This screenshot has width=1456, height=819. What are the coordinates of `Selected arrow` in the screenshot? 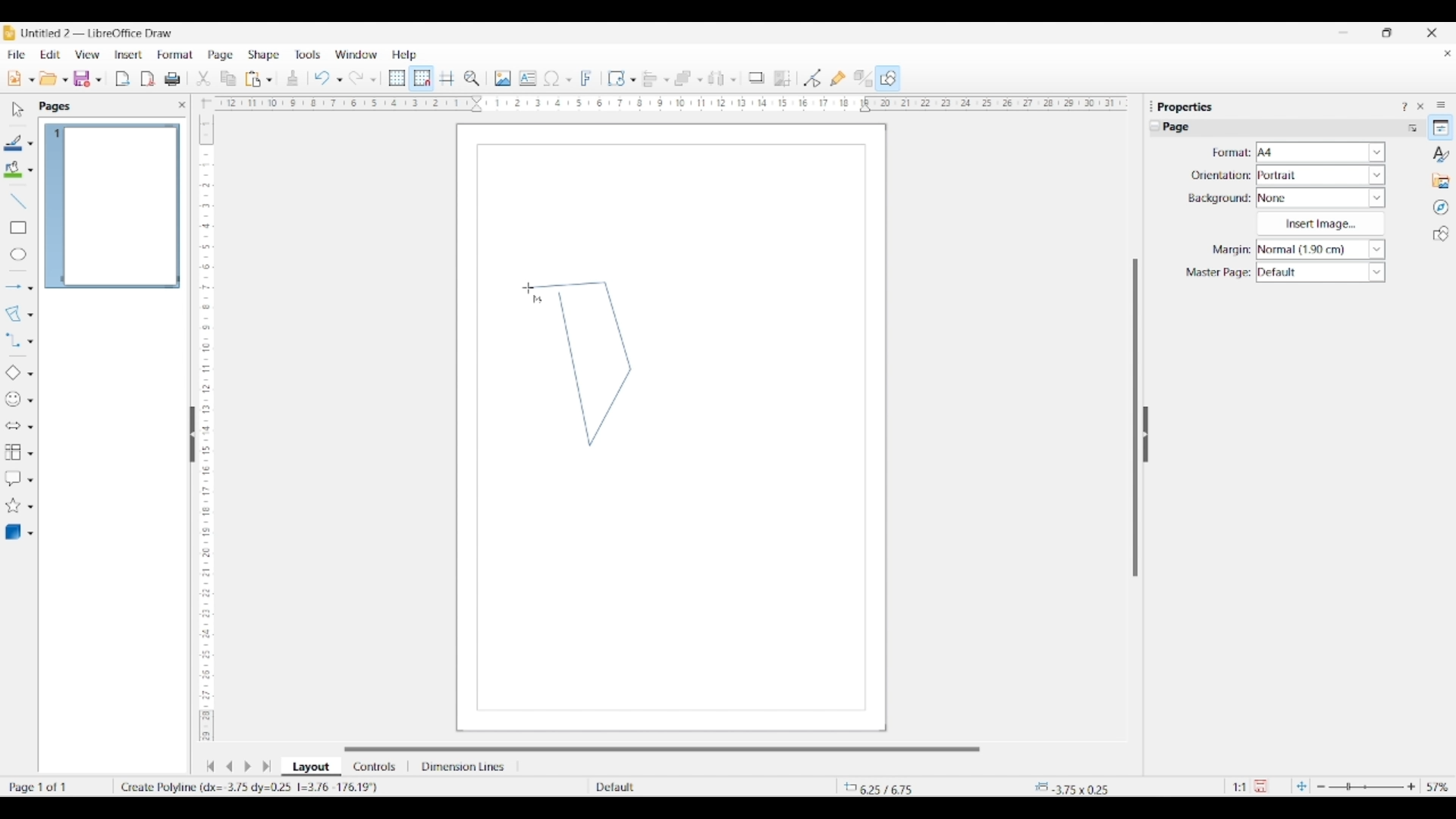 It's located at (14, 287).